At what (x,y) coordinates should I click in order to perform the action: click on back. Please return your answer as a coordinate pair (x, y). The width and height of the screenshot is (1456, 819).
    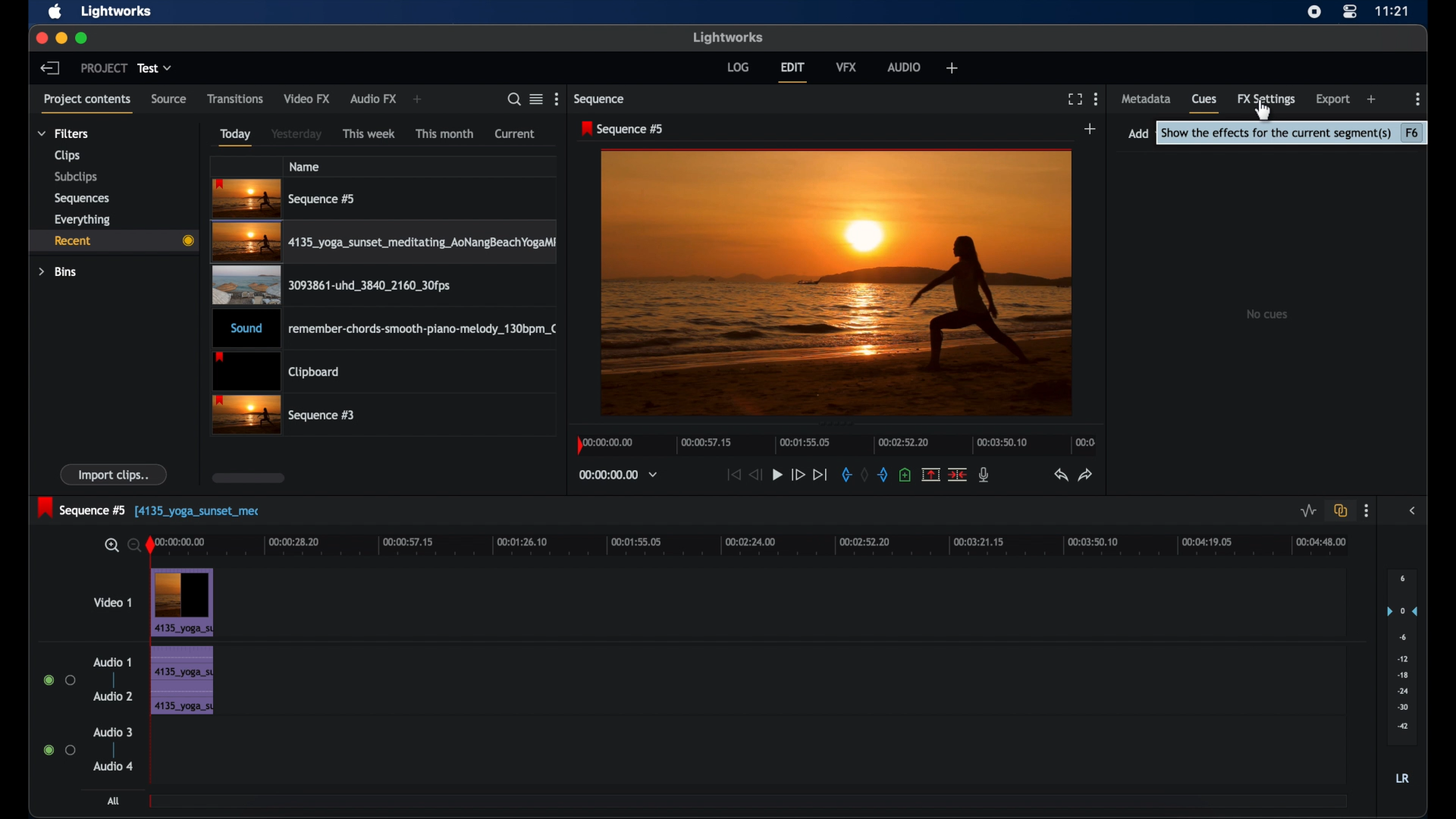
    Looking at the image, I should click on (49, 67).